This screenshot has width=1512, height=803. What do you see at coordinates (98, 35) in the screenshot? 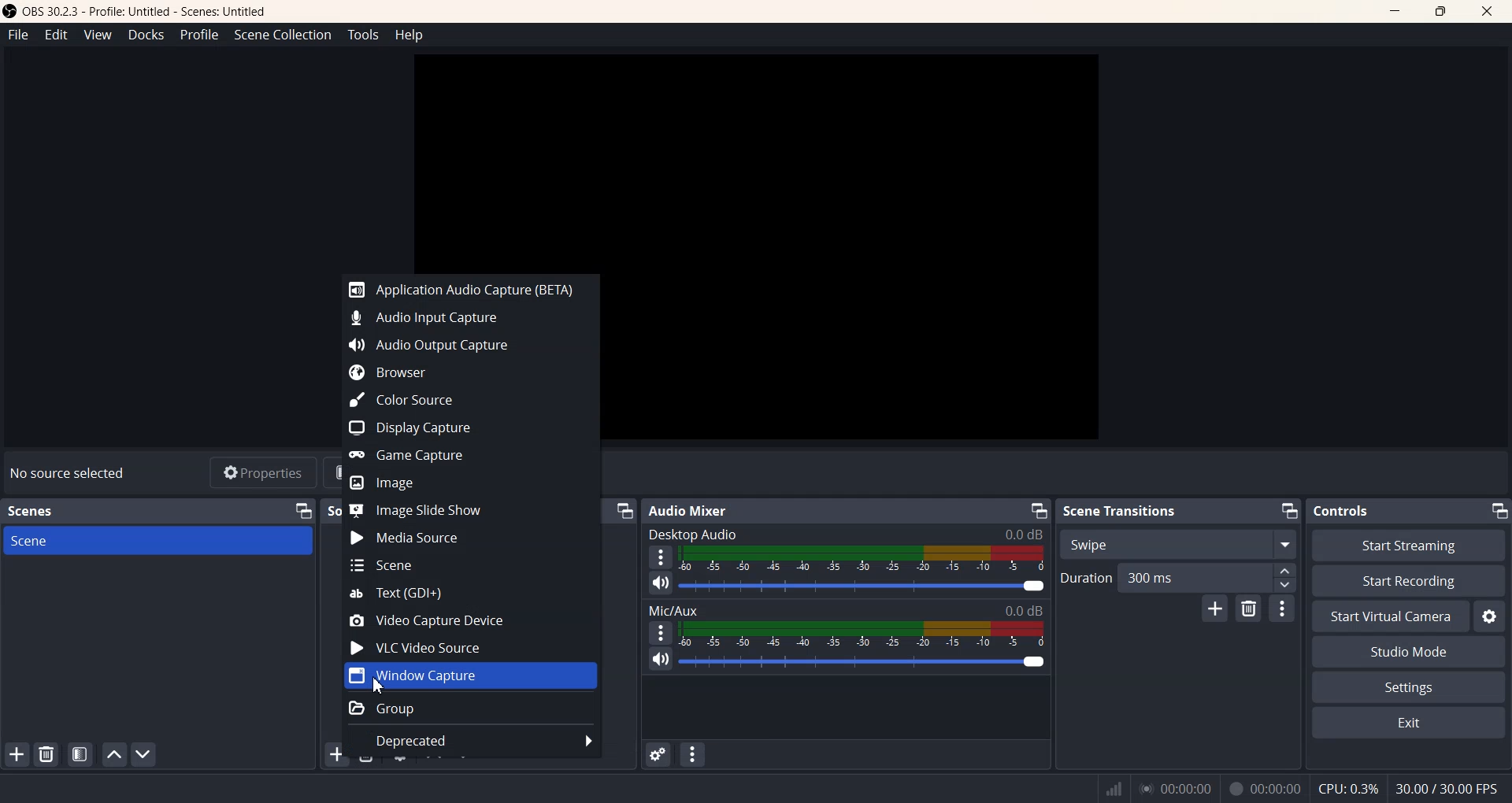
I see `View` at bounding box center [98, 35].